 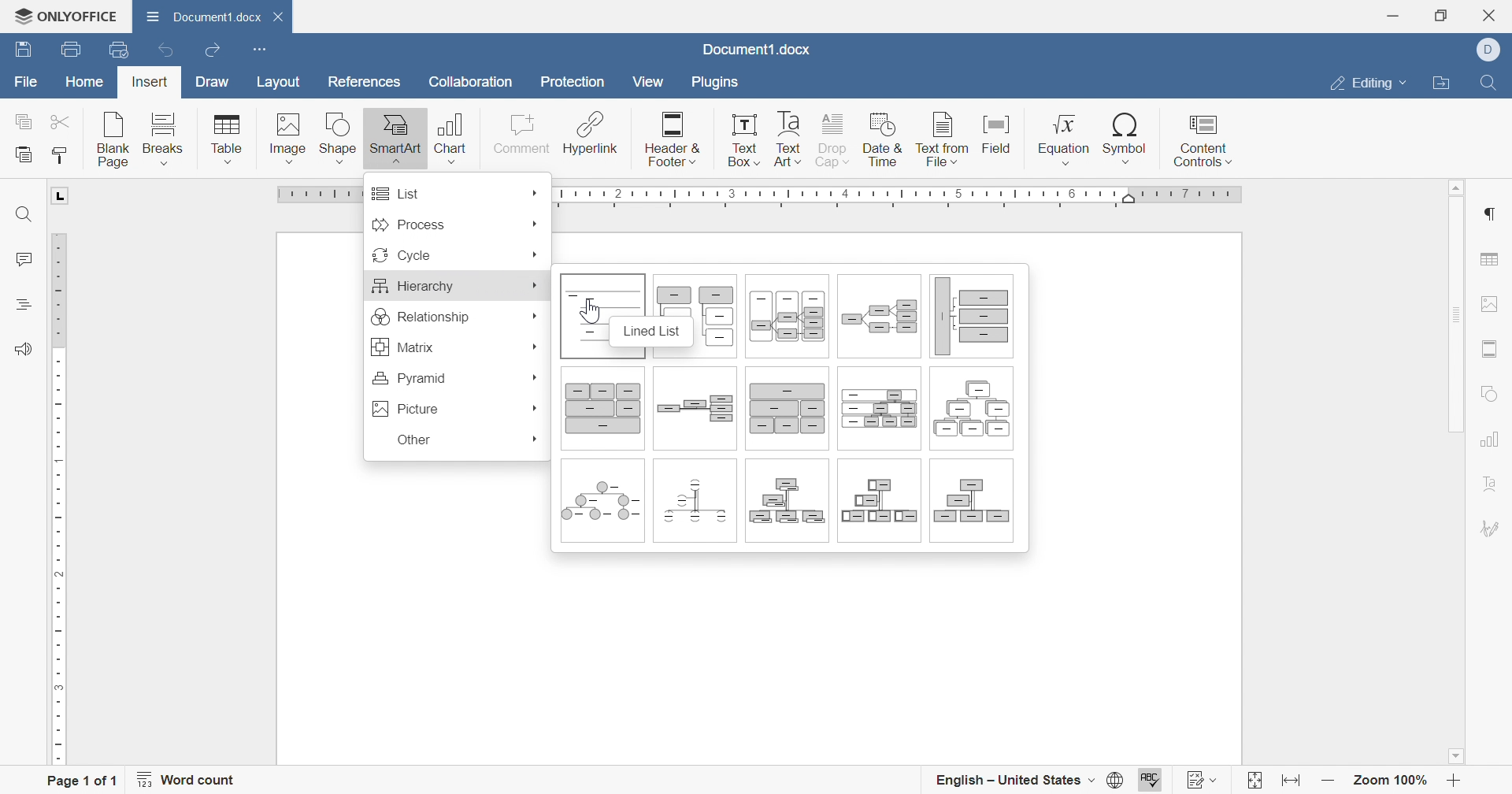 What do you see at coordinates (673, 140) in the screenshot?
I see `Header & Footer` at bounding box center [673, 140].